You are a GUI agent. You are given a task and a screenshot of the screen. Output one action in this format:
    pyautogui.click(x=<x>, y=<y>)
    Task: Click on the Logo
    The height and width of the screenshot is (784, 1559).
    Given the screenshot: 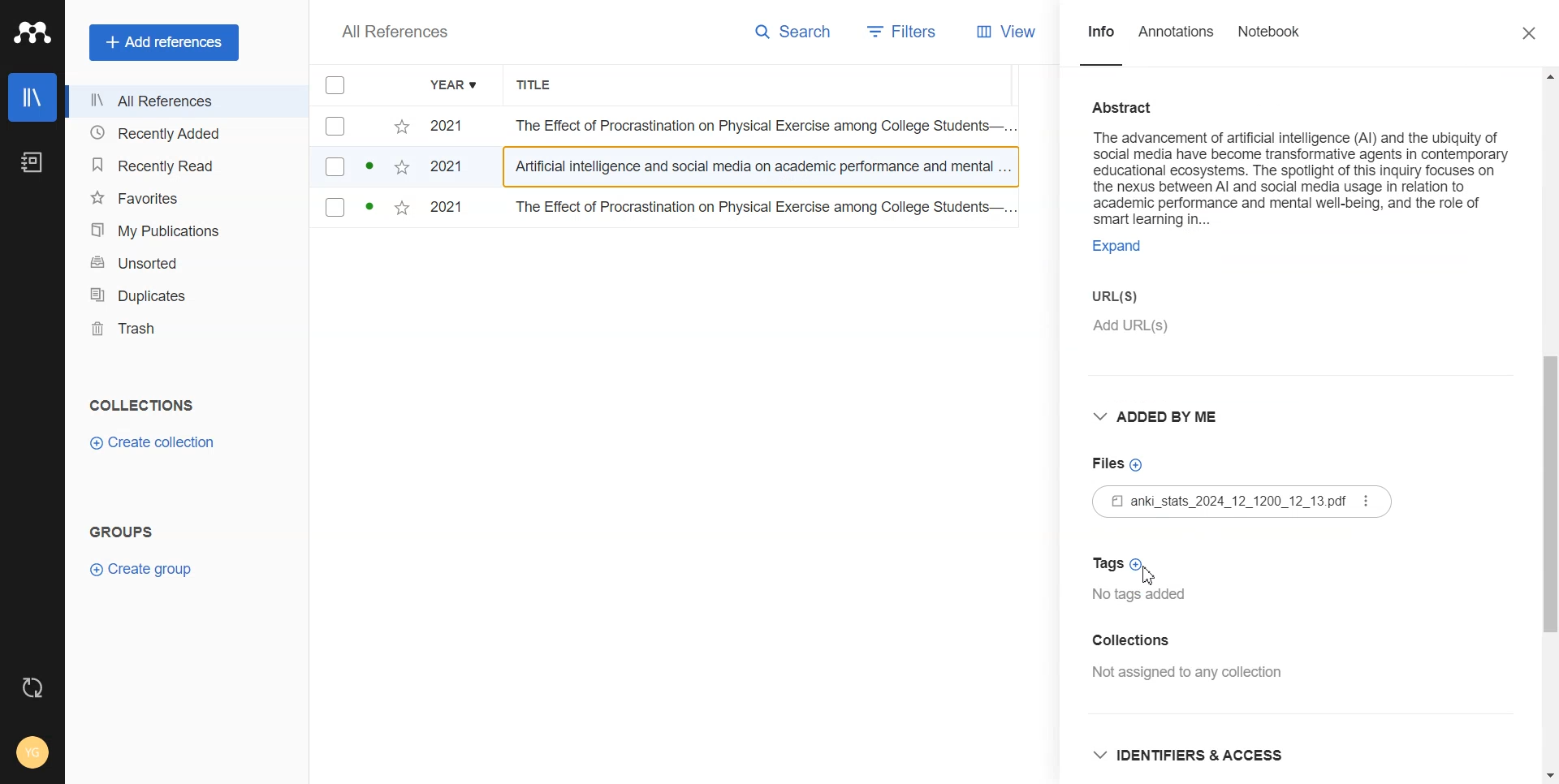 What is the action you would take?
    pyautogui.click(x=32, y=33)
    